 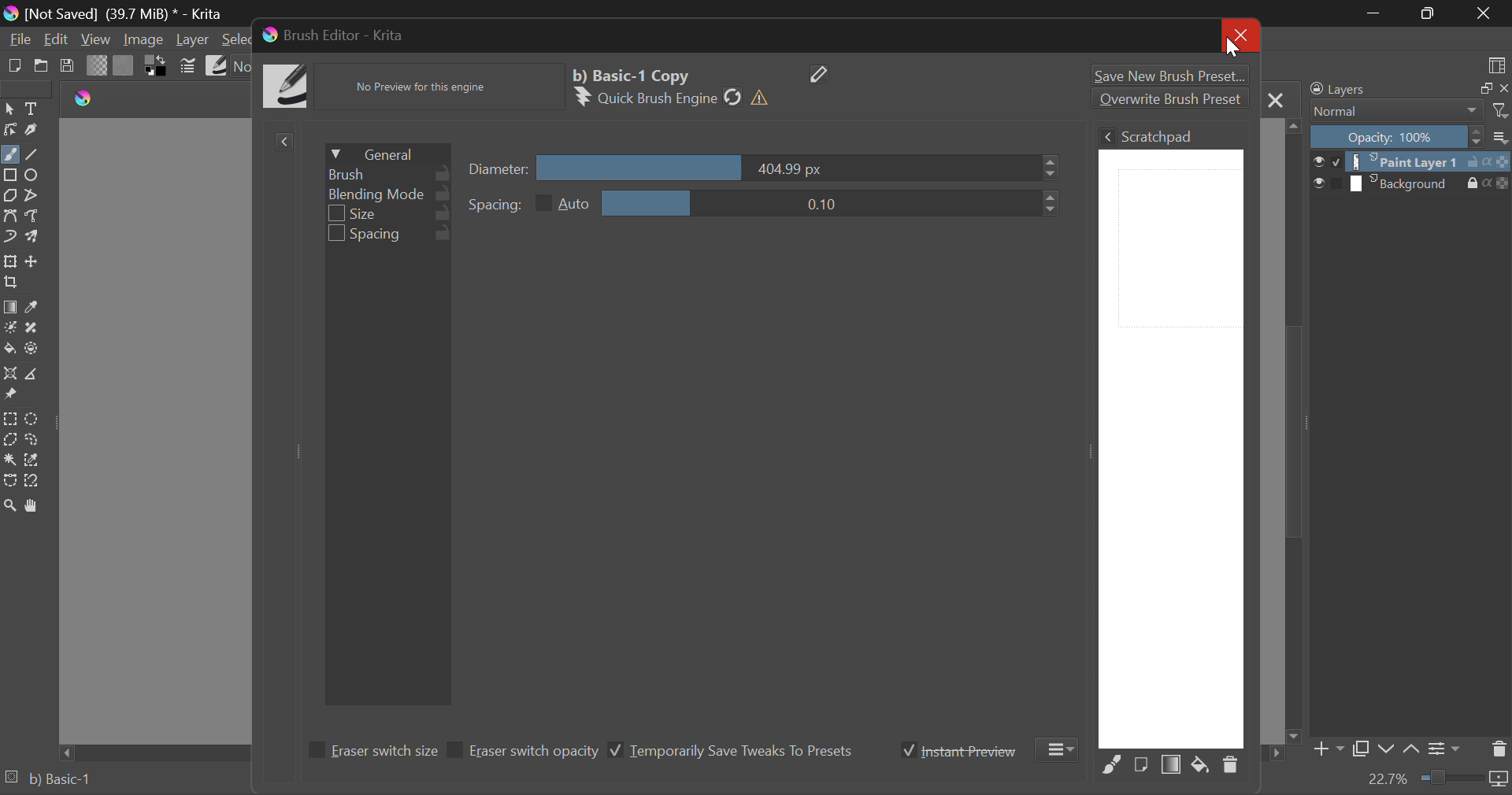 I want to click on Fill Area with Selected Brush Preset, so click(x=1112, y=765).